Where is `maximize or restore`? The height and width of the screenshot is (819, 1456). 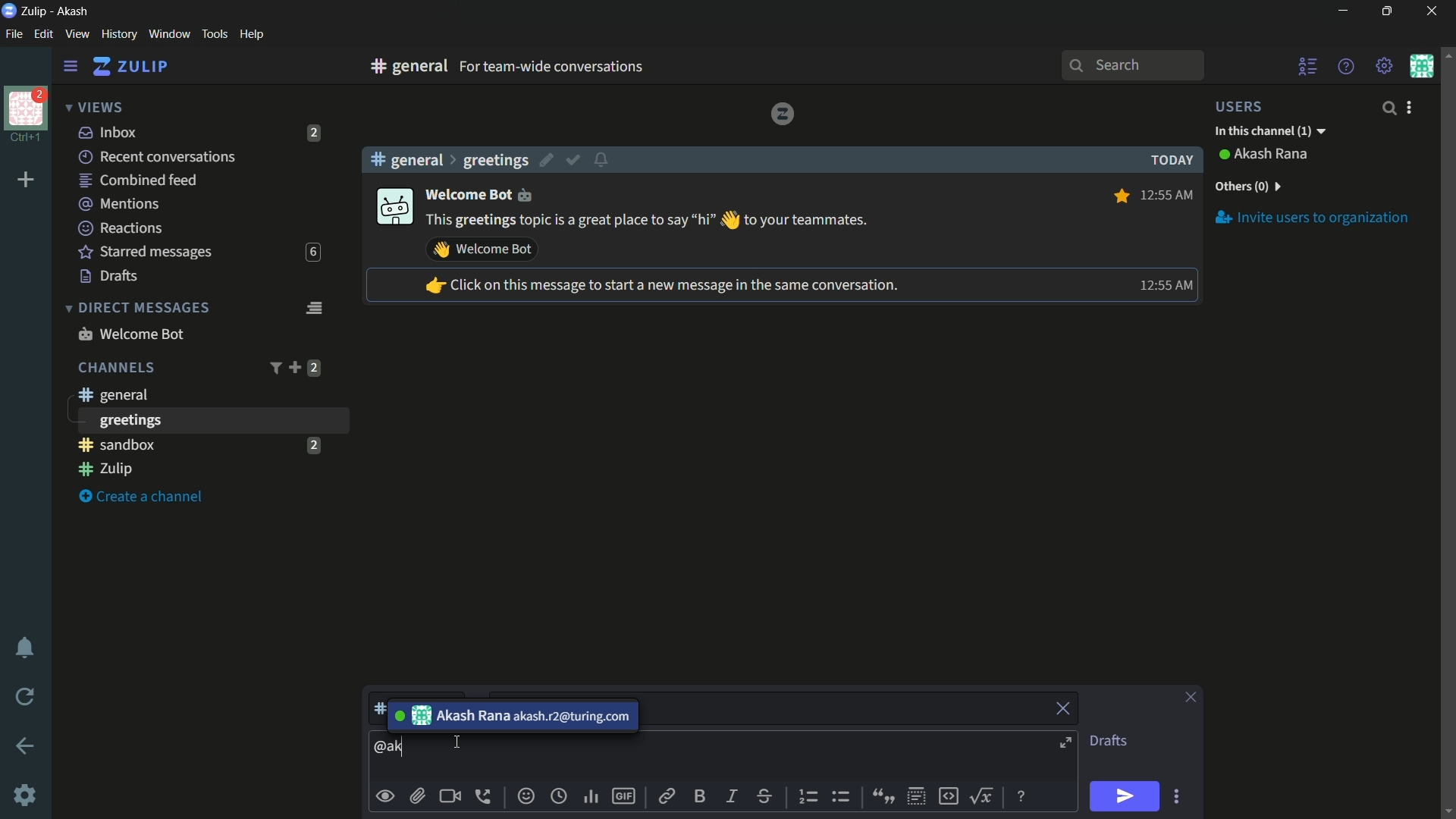 maximize or restore is located at coordinates (1389, 11).